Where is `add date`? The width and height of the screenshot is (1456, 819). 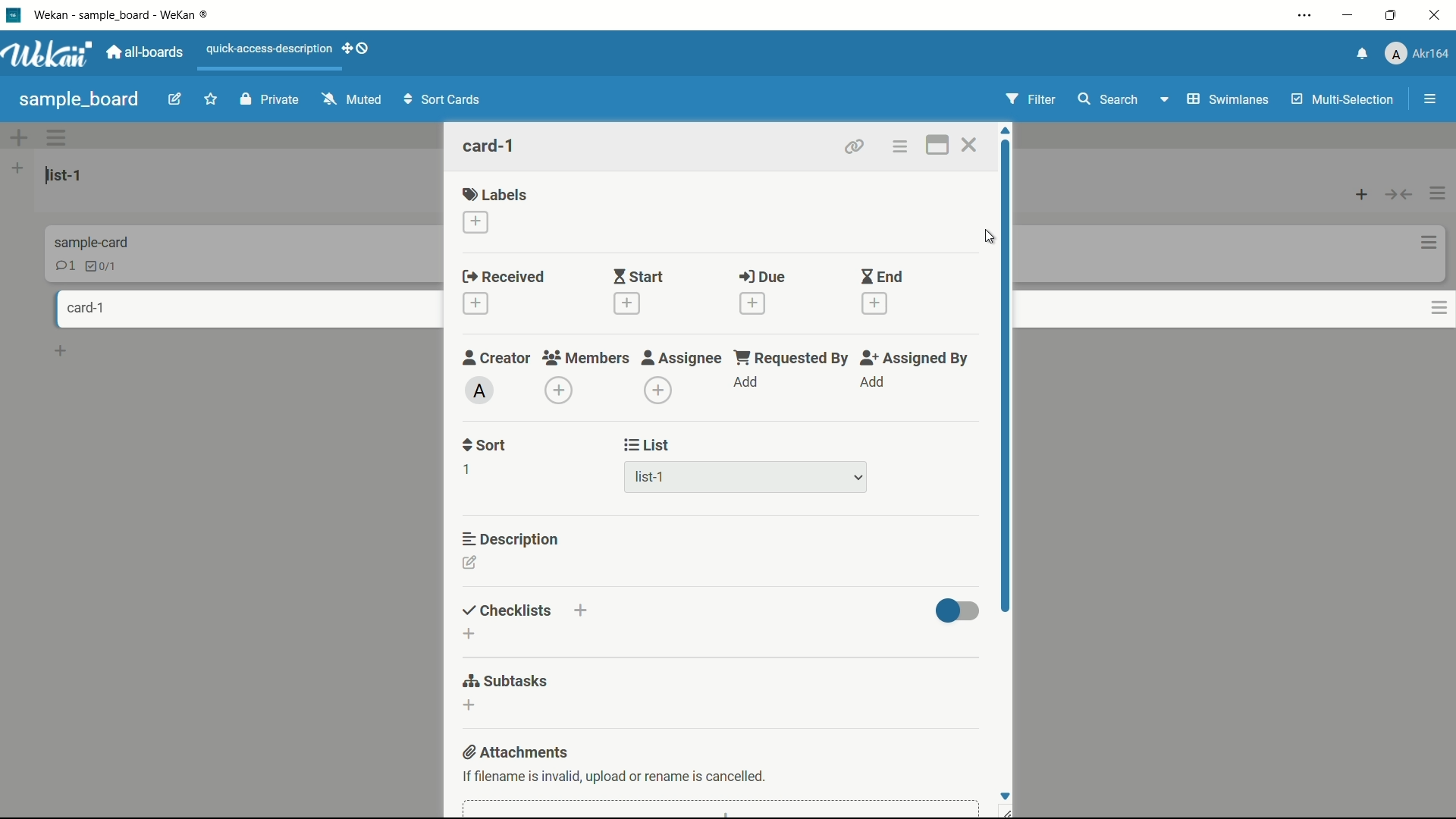 add date is located at coordinates (626, 304).